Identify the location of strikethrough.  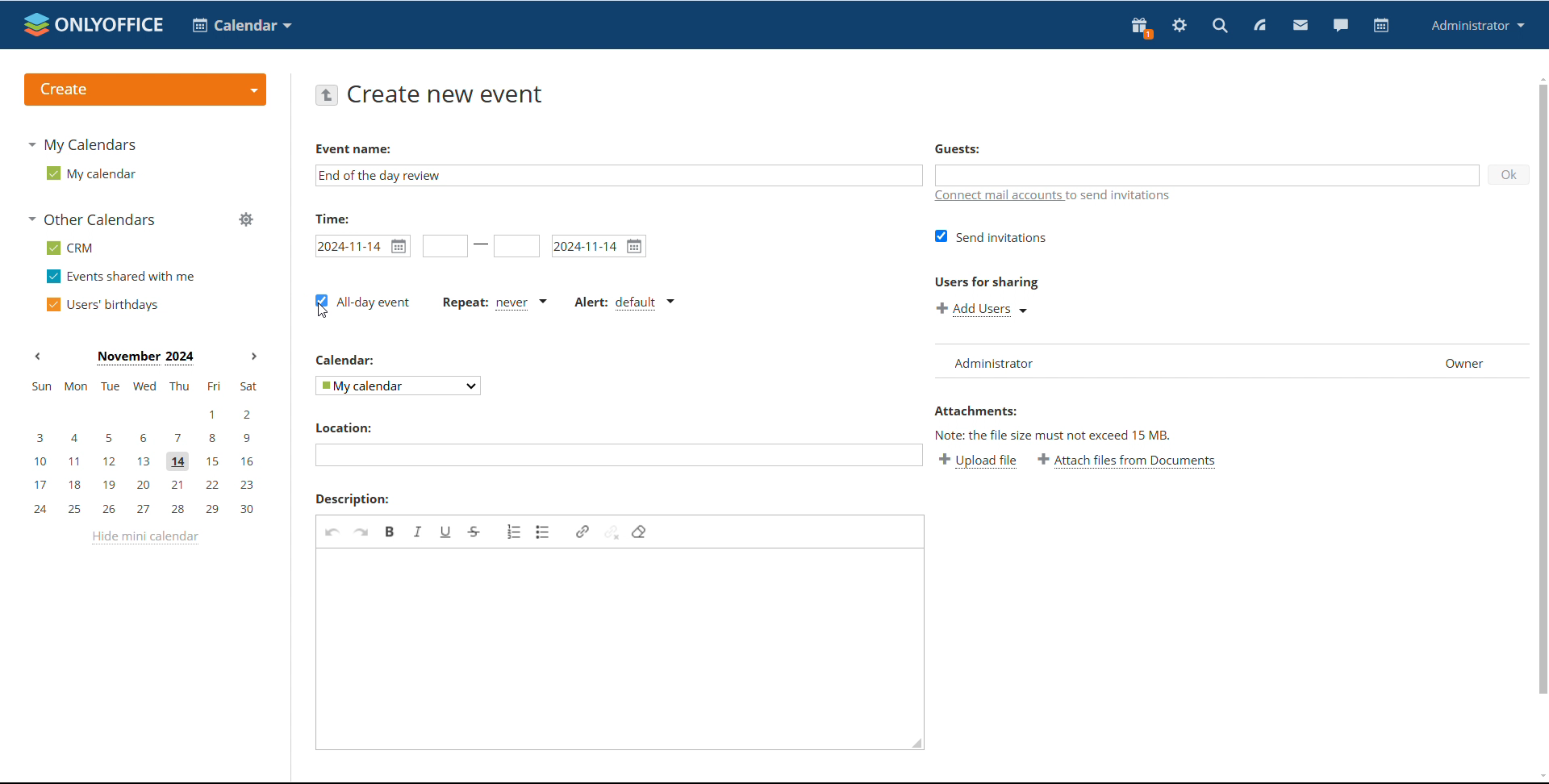
(474, 532).